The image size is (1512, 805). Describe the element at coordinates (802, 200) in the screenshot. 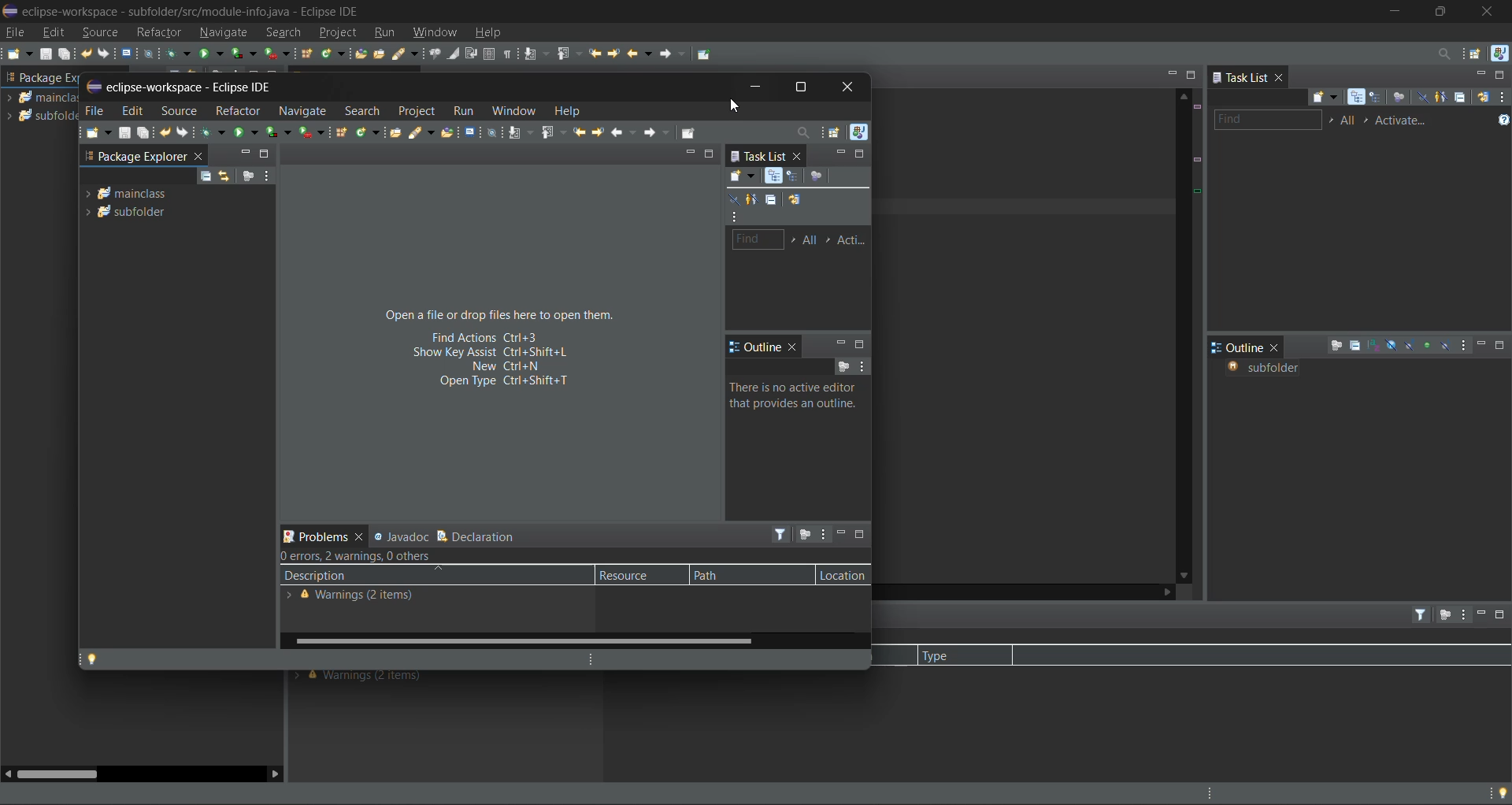

I see `synchronize changed` at that location.